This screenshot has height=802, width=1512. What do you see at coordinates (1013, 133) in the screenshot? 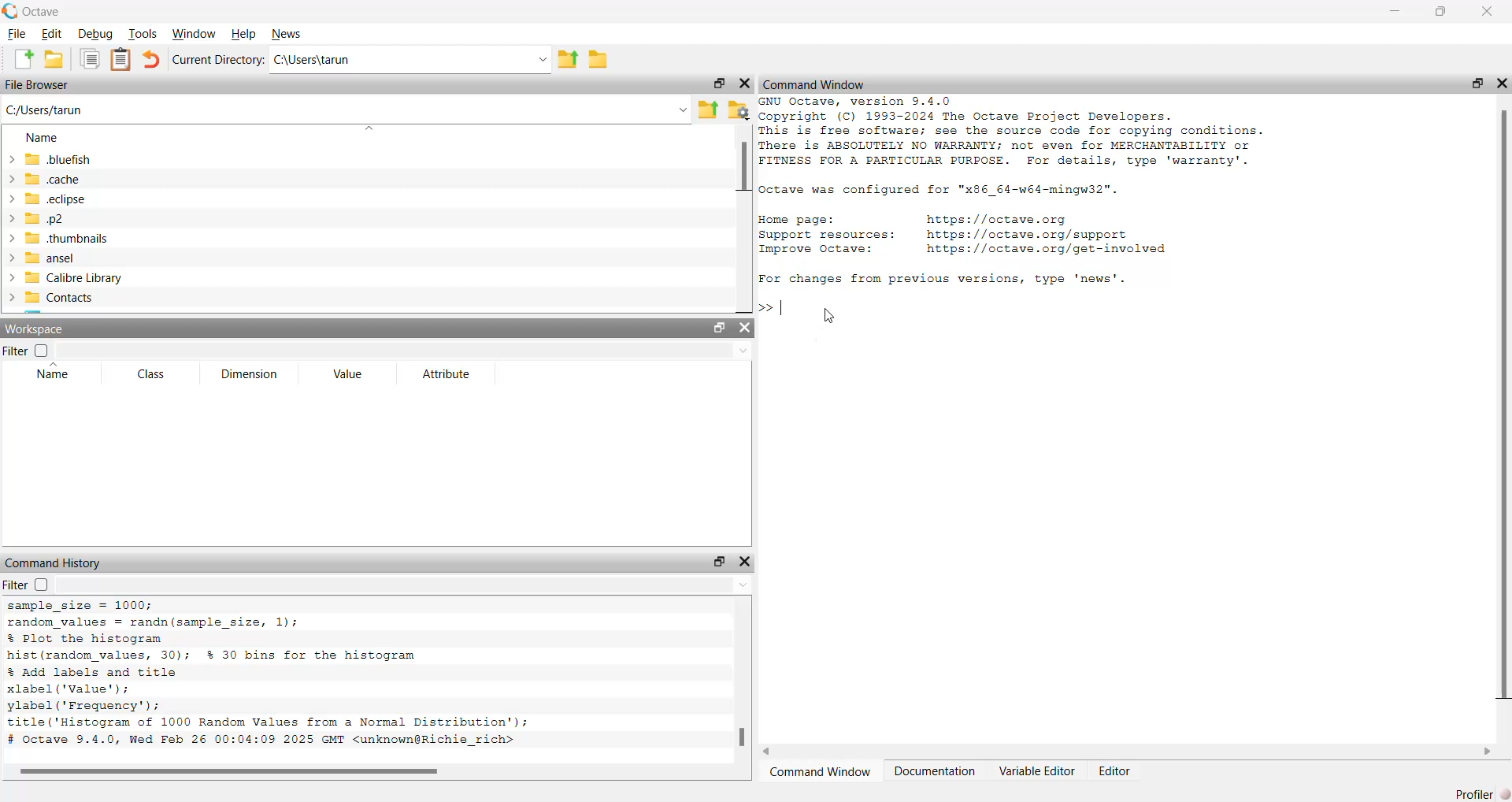
I see `GNU Octave, version 9.4.0
Copyright (C) 1993-2024 The Octave Project Developers.

This is free software; see the source code for copying conditions.
There is ABSOLUTELY NO WARRANTY; not even for MERCHANTABILITY or
FITNESS FOR A PARTICULAR PURPOSE. For details, type 'warranty'.` at bounding box center [1013, 133].